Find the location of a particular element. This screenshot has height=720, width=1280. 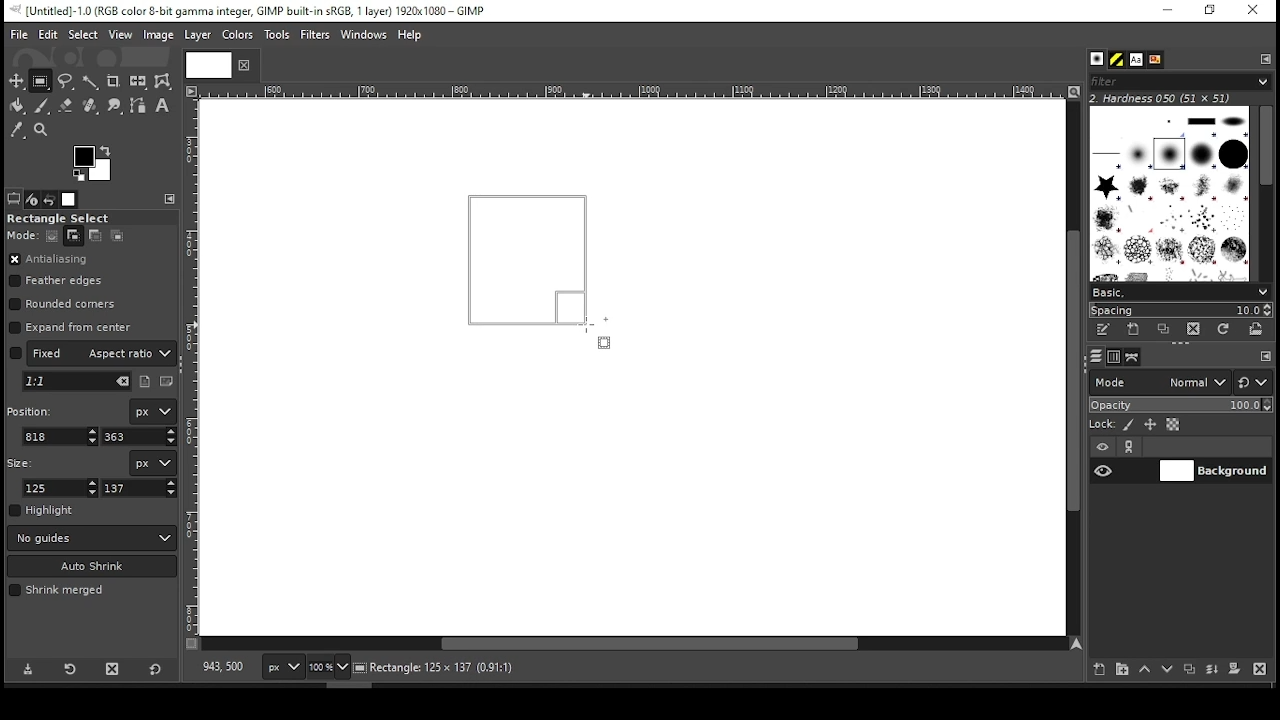

paint bucket tool is located at coordinates (18, 105).